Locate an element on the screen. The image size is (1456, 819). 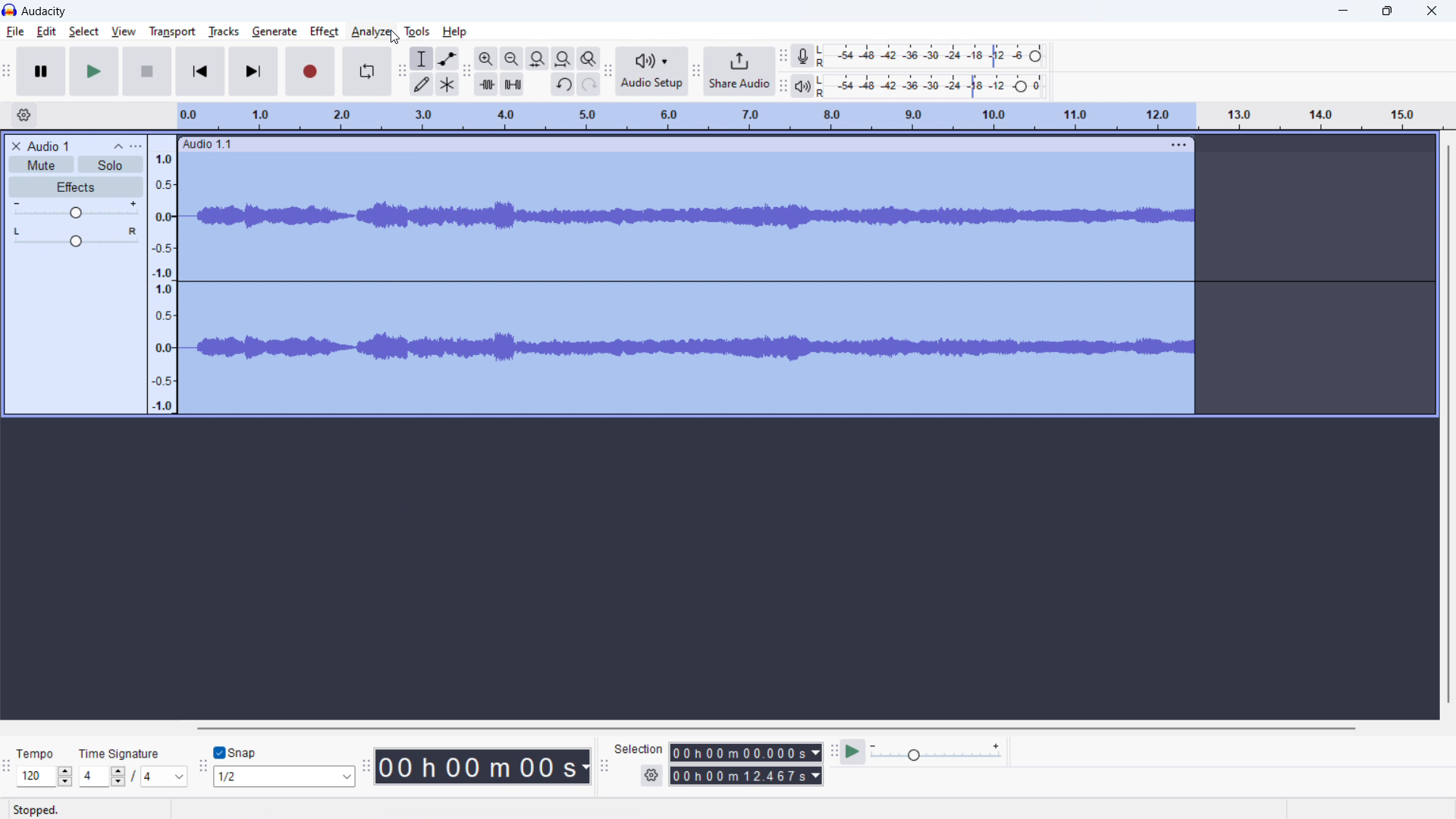
Time signature is located at coordinates (121, 755).